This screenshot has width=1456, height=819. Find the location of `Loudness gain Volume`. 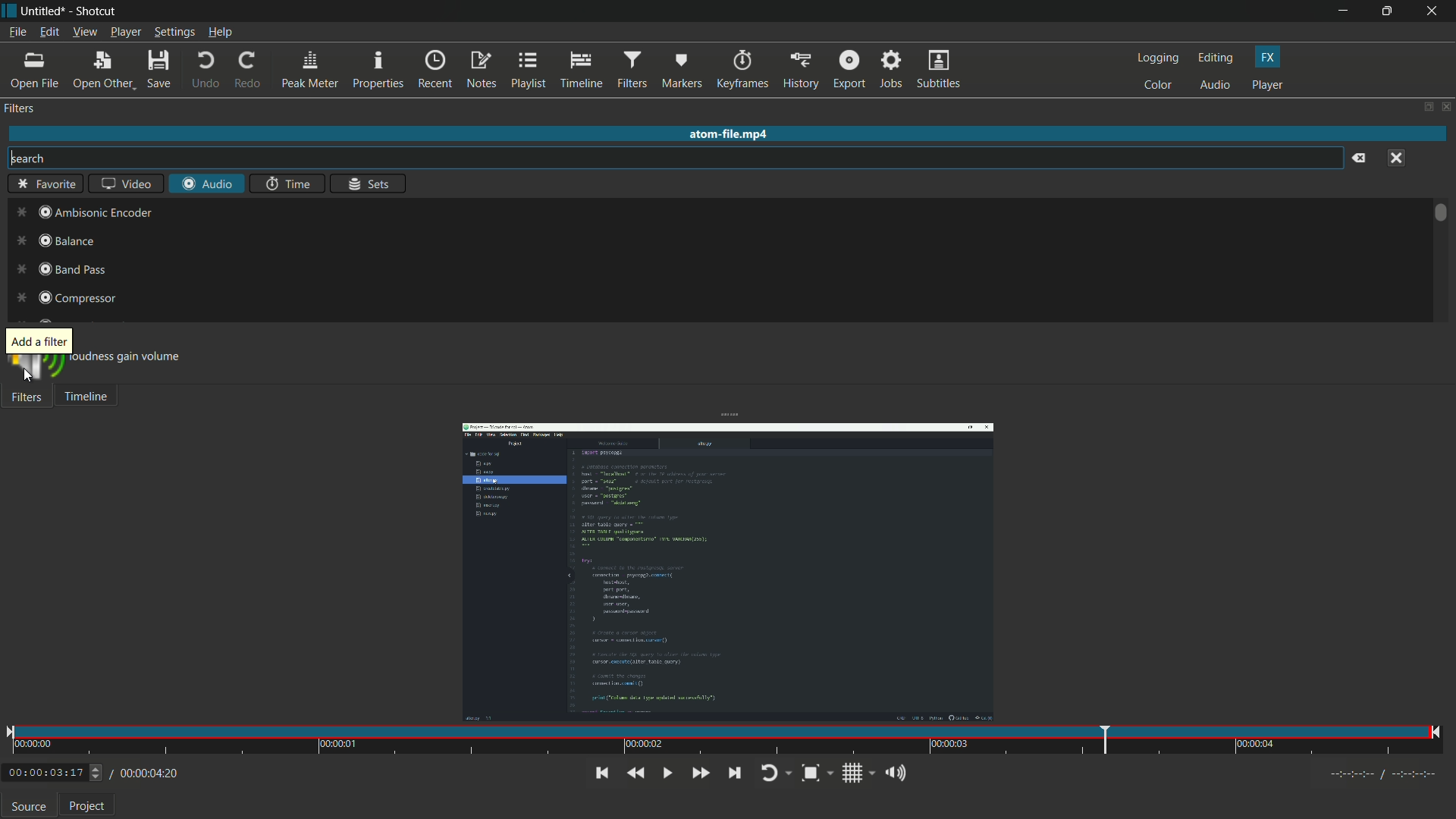

Loudness gain Volume is located at coordinates (124, 361).